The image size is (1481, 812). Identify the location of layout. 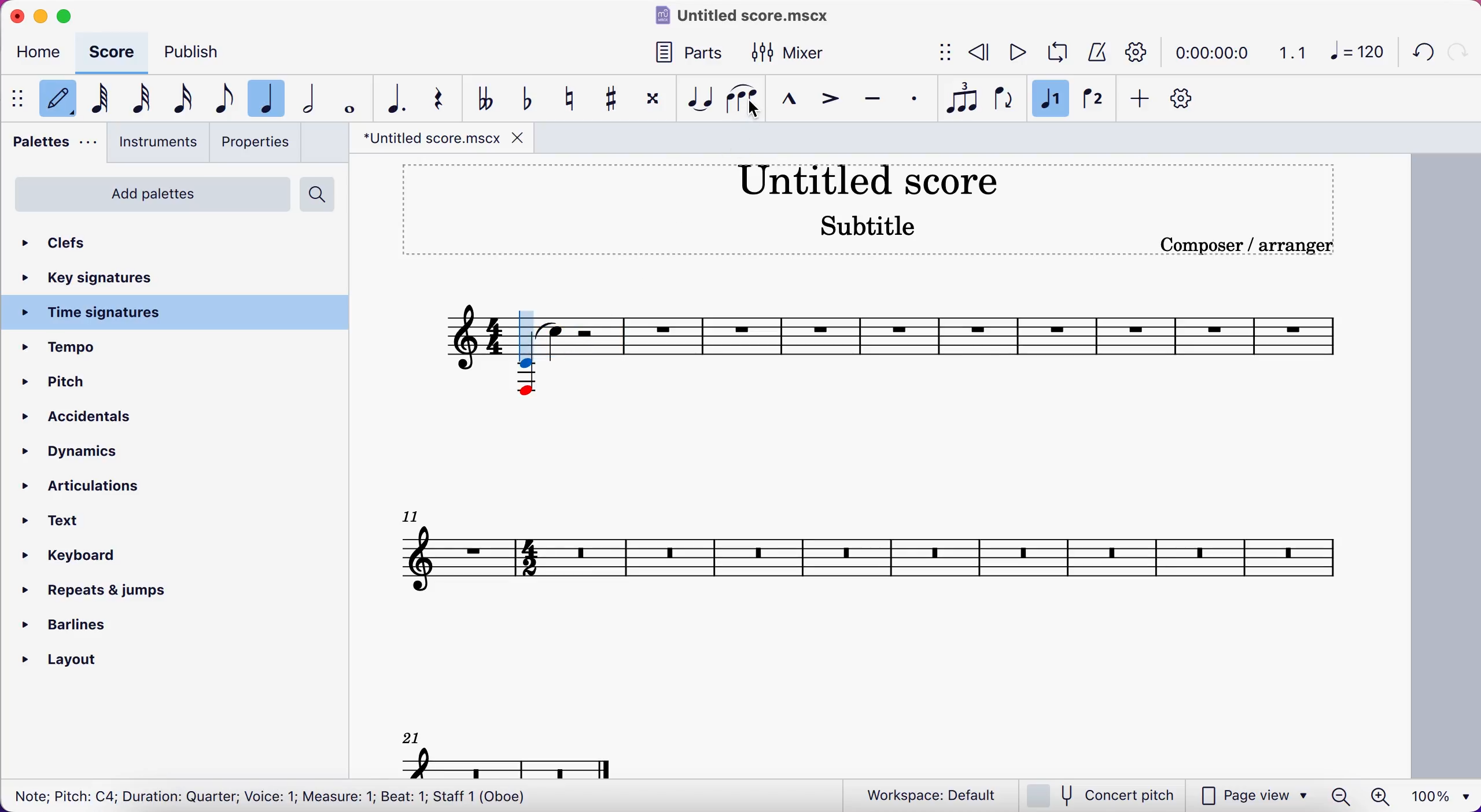
(85, 662).